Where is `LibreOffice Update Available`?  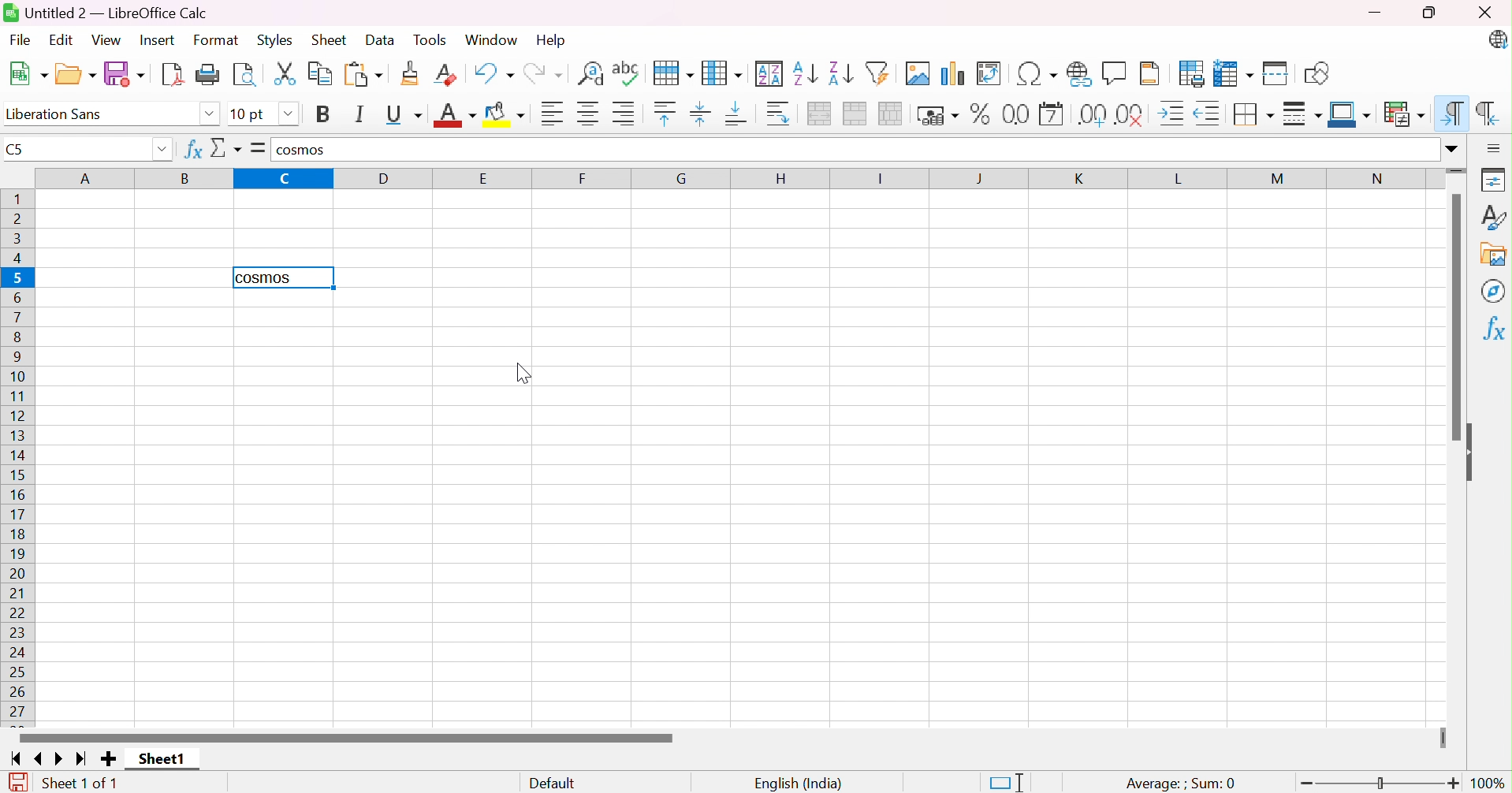
LibreOffice Update Available is located at coordinates (1499, 39).